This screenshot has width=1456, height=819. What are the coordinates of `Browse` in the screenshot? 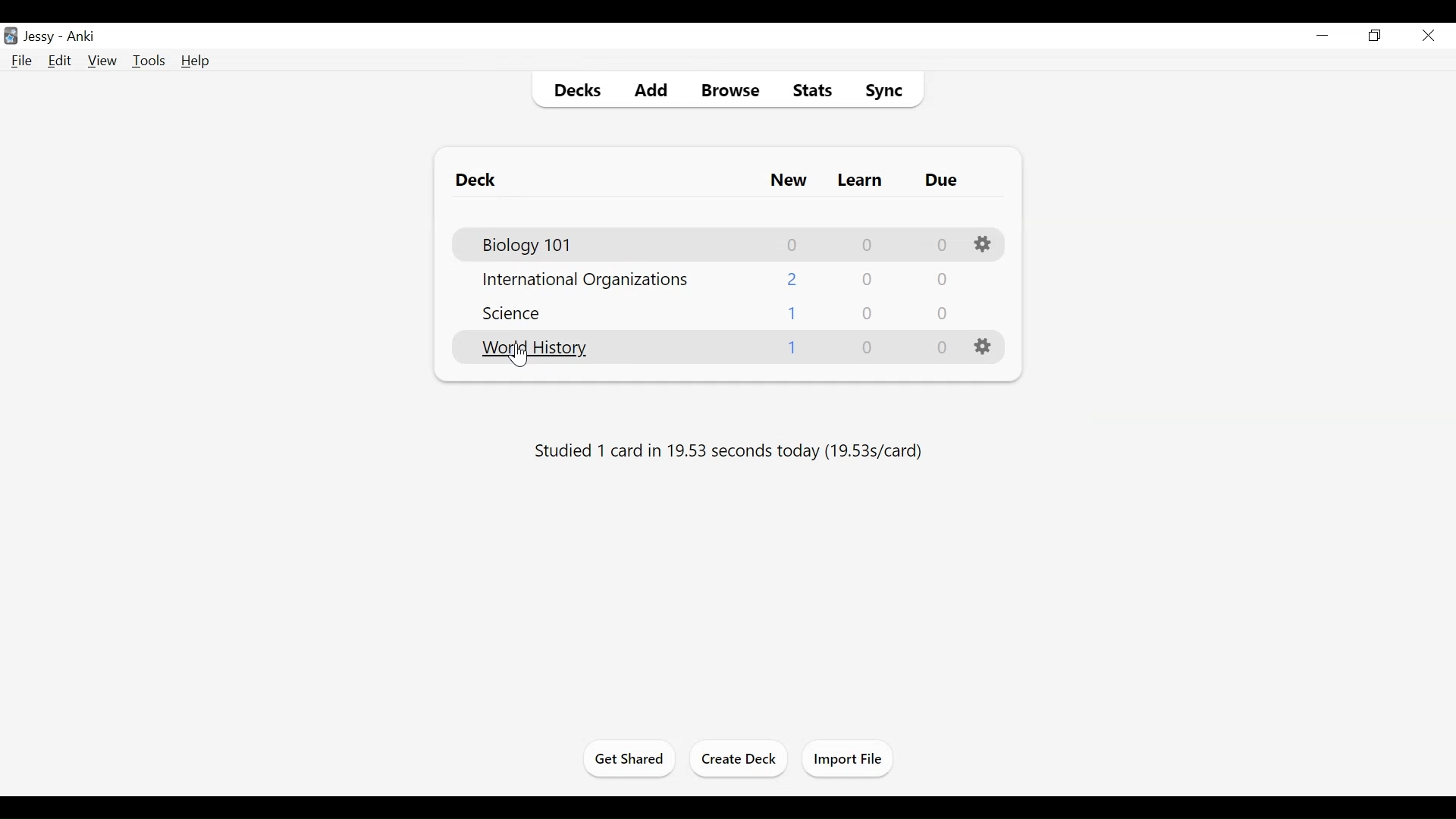 It's located at (726, 90).